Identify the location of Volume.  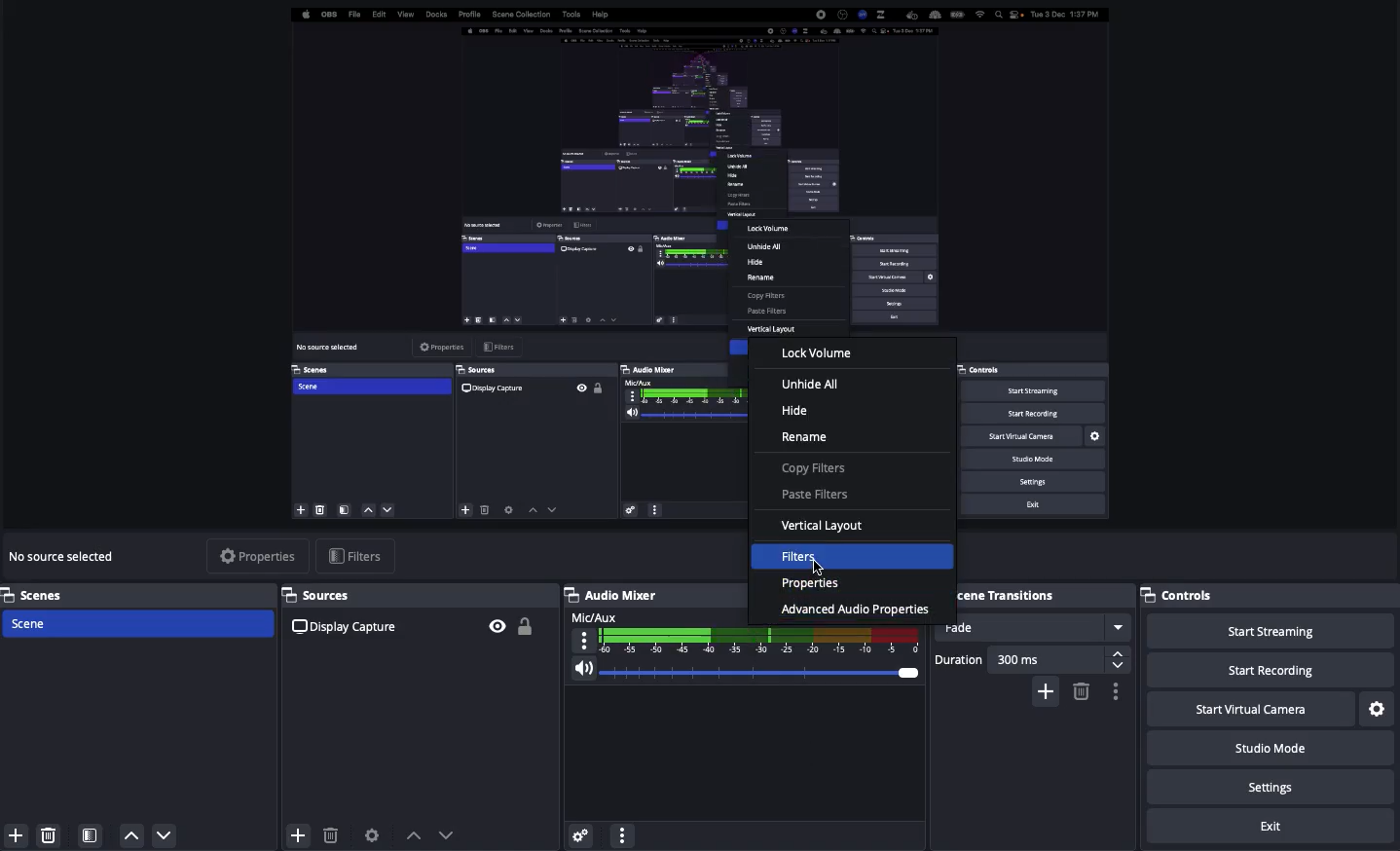
(753, 674).